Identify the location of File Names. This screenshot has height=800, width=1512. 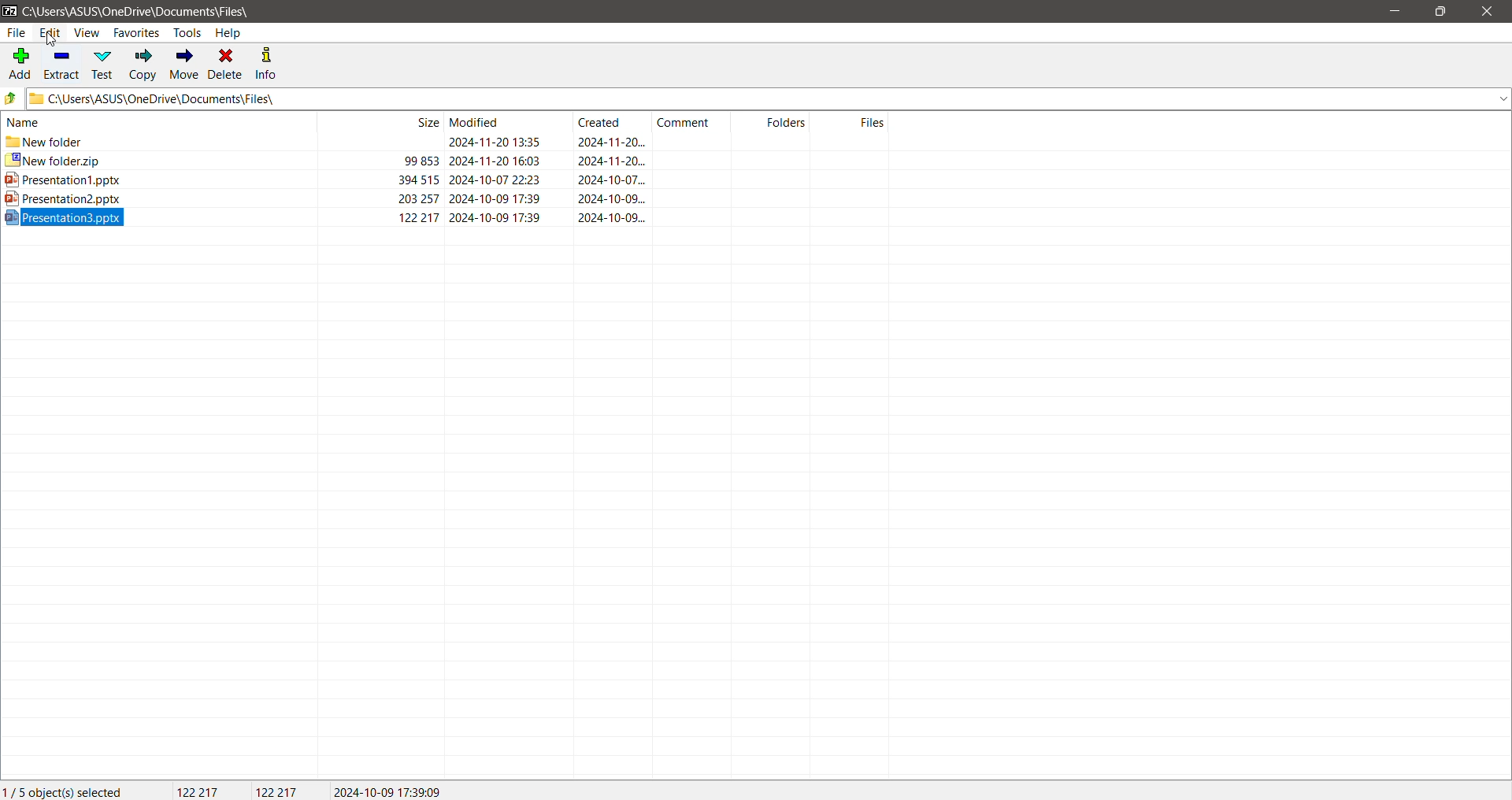
(157, 120).